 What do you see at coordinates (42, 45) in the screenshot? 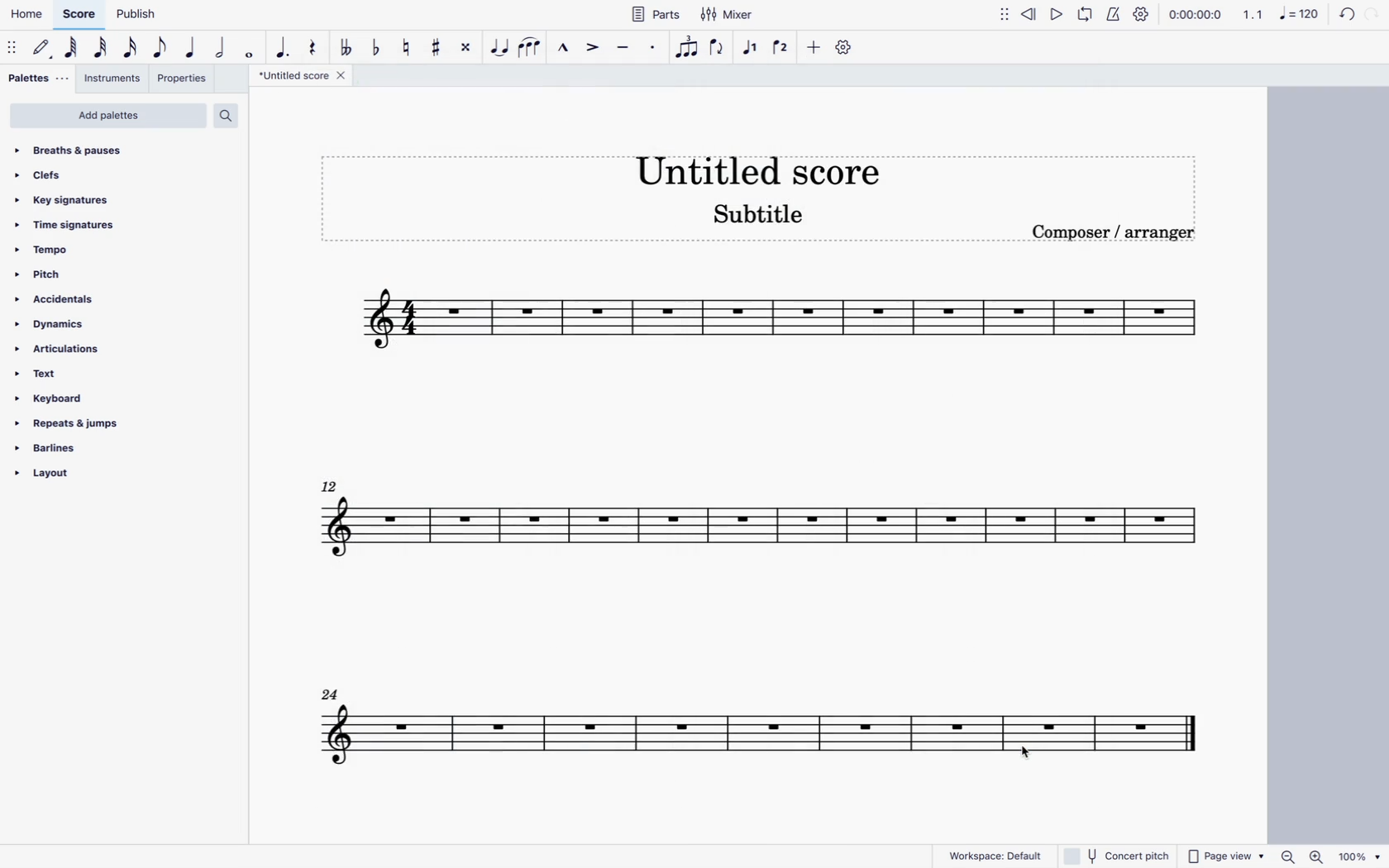
I see `default` at bounding box center [42, 45].